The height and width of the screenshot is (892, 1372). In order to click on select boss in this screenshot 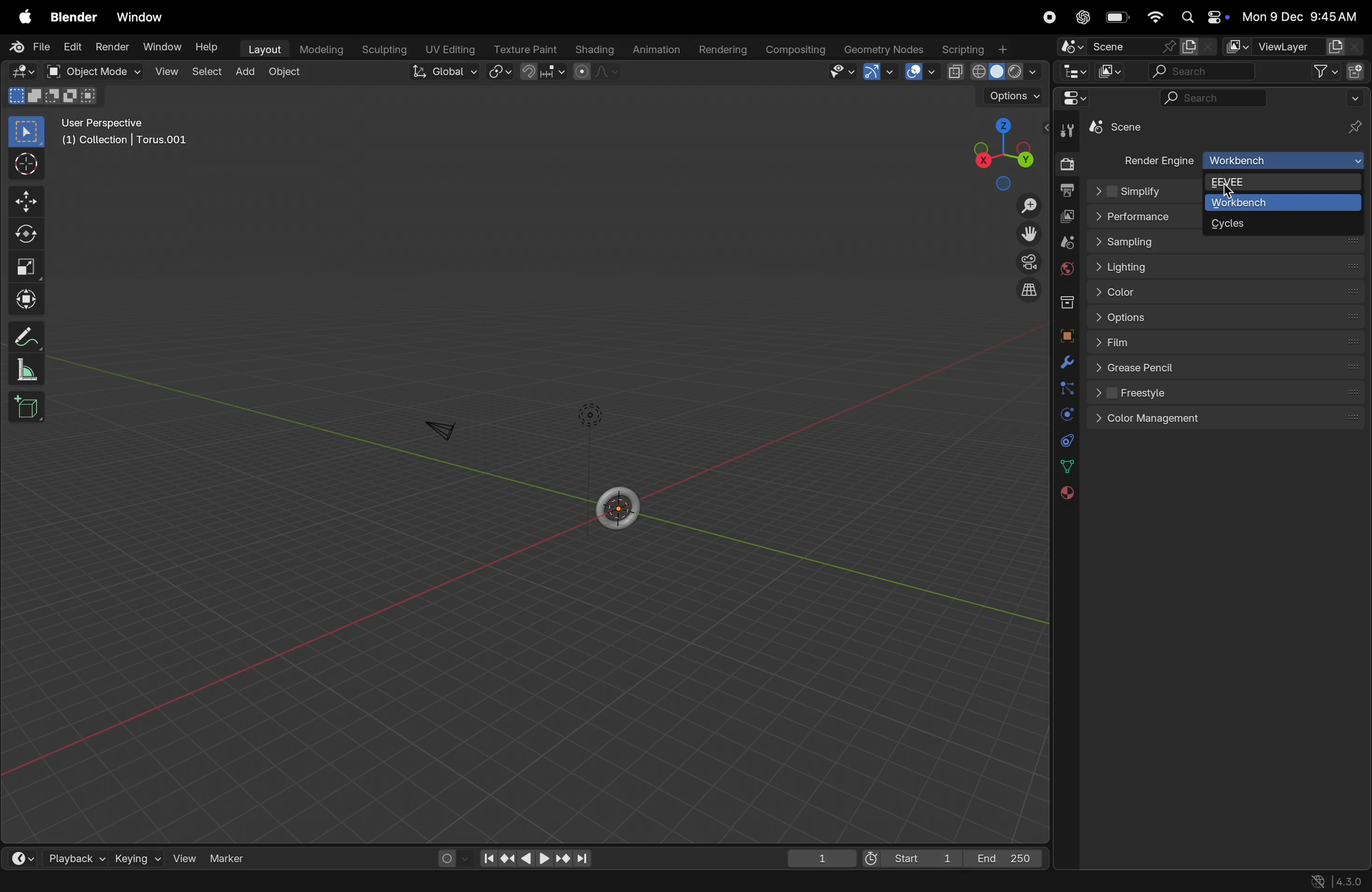, I will do `click(31, 133)`.